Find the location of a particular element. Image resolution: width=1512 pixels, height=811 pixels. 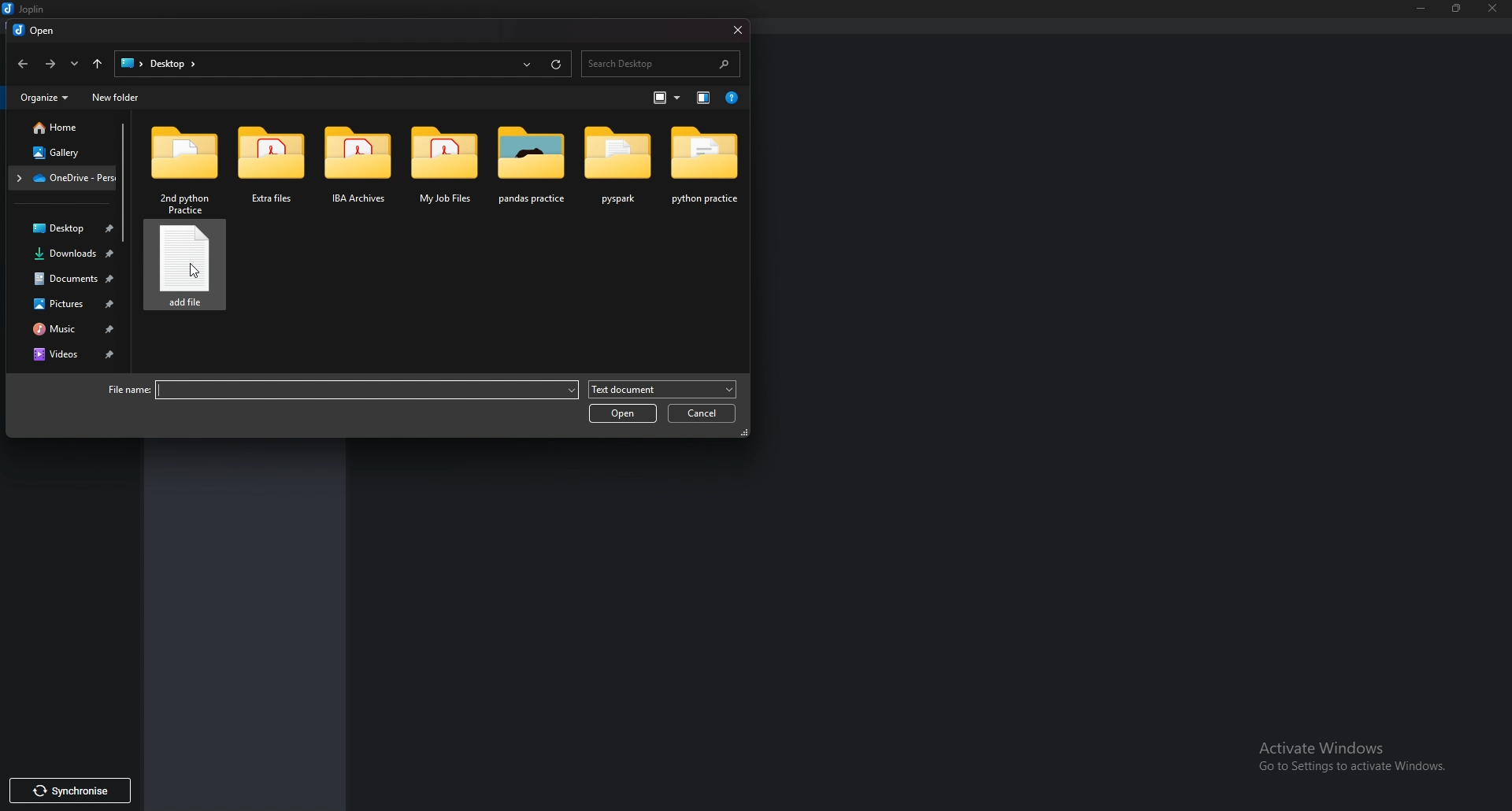

Music is located at coordinates (73, 328).